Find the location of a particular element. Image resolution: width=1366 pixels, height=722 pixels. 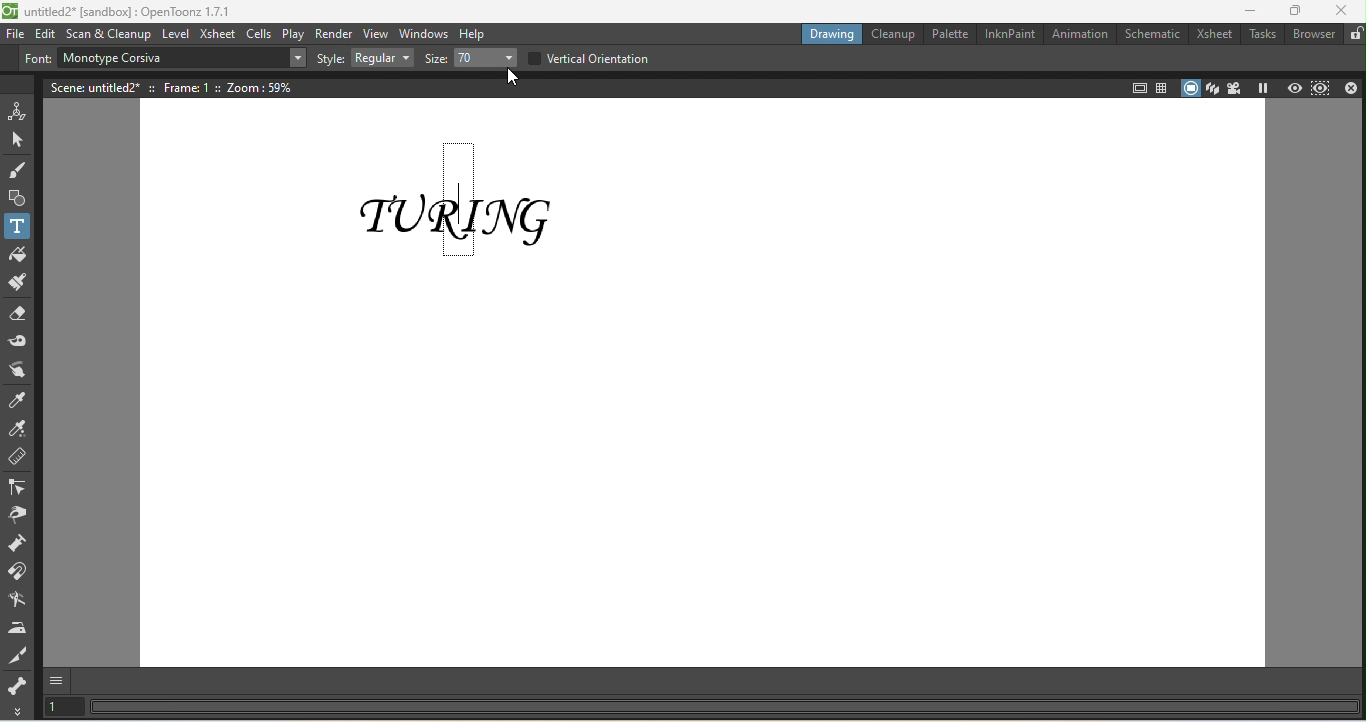

Animation is located at coordinates (1075, 35).